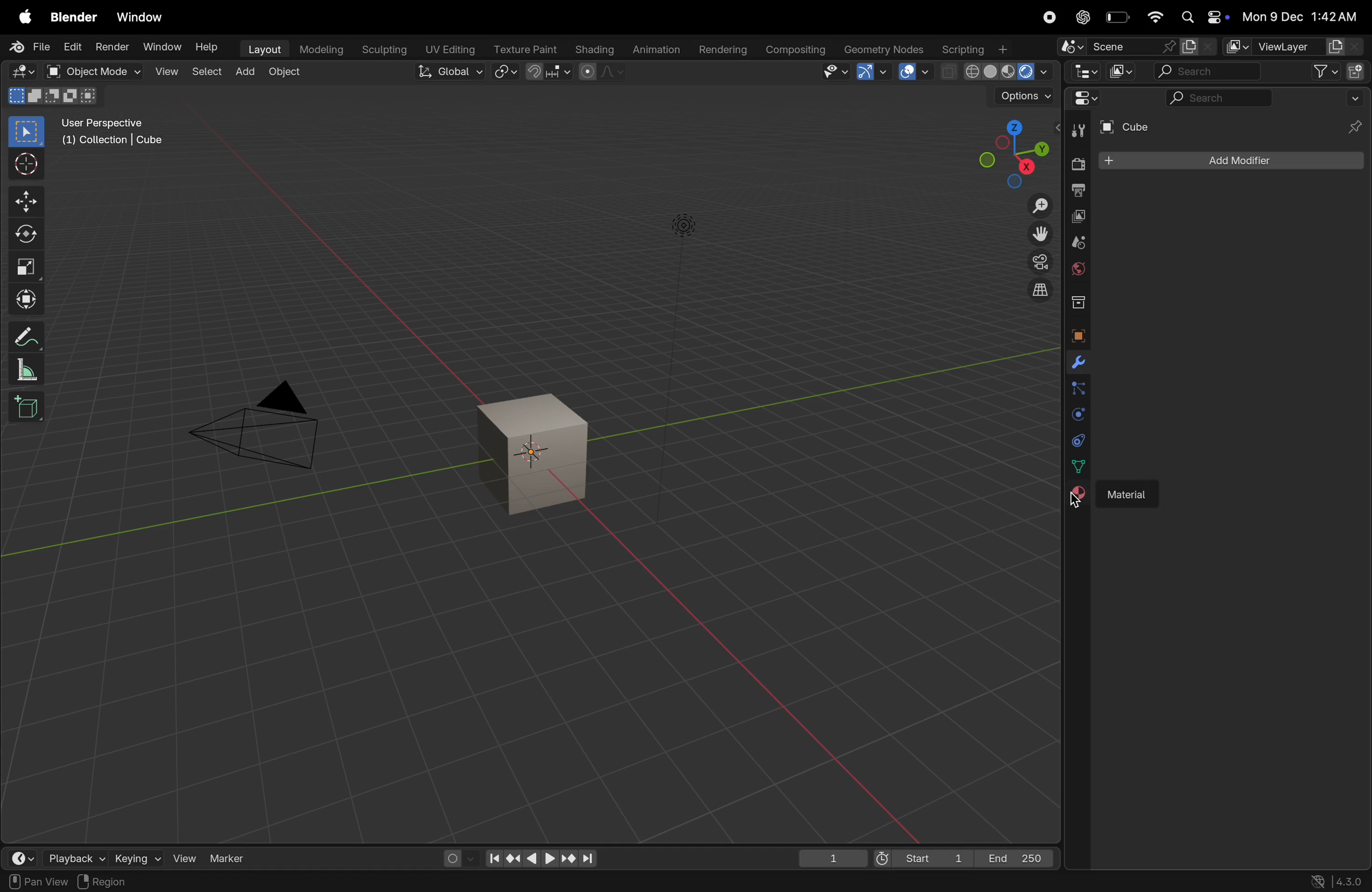 The image size is (1372, 892). Describe the element at coordinates (919, 860) in the screenshot. I see `Start1` at that location.